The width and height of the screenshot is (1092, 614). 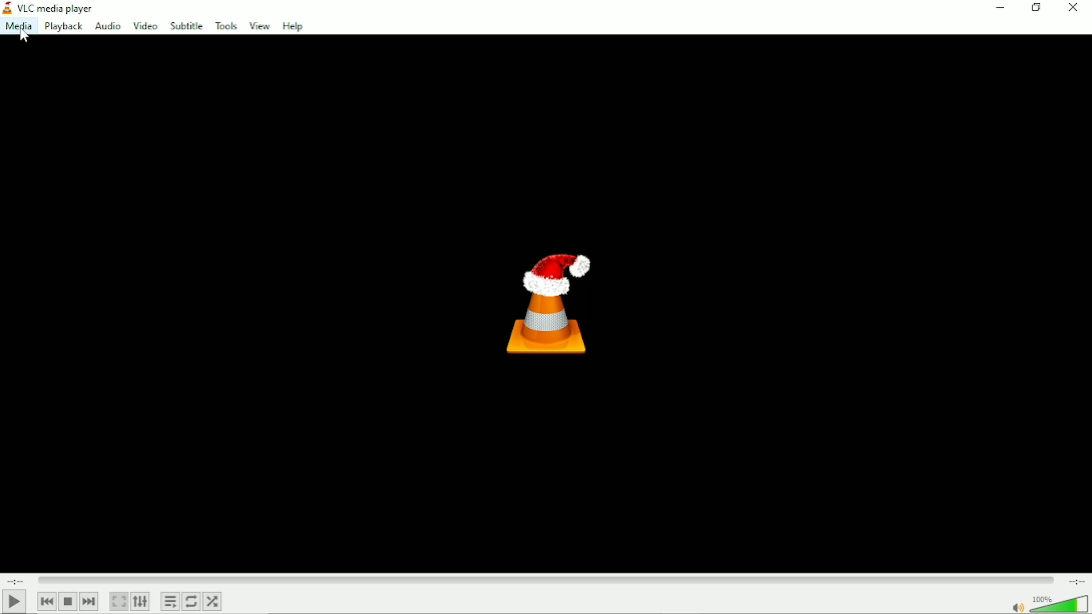 I want to click on Help, so click(x=294, y=26).